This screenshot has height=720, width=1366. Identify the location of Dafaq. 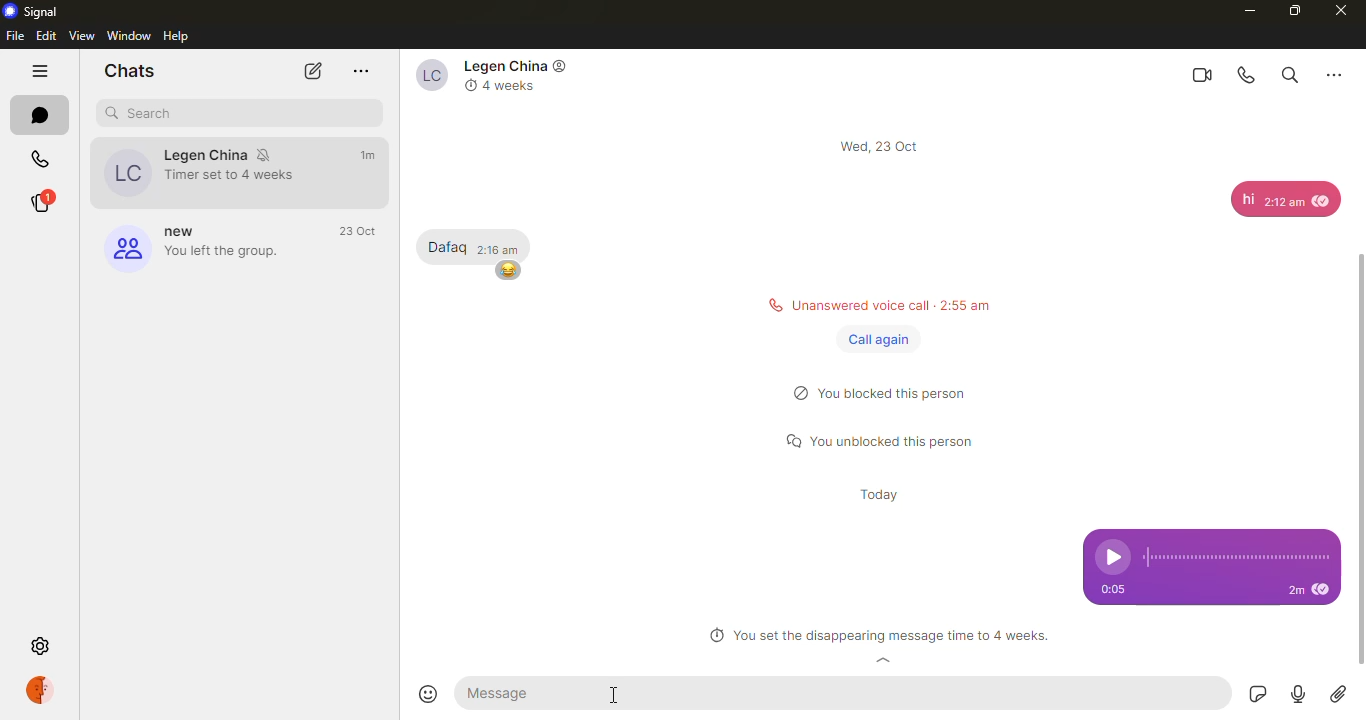
(446, 247).